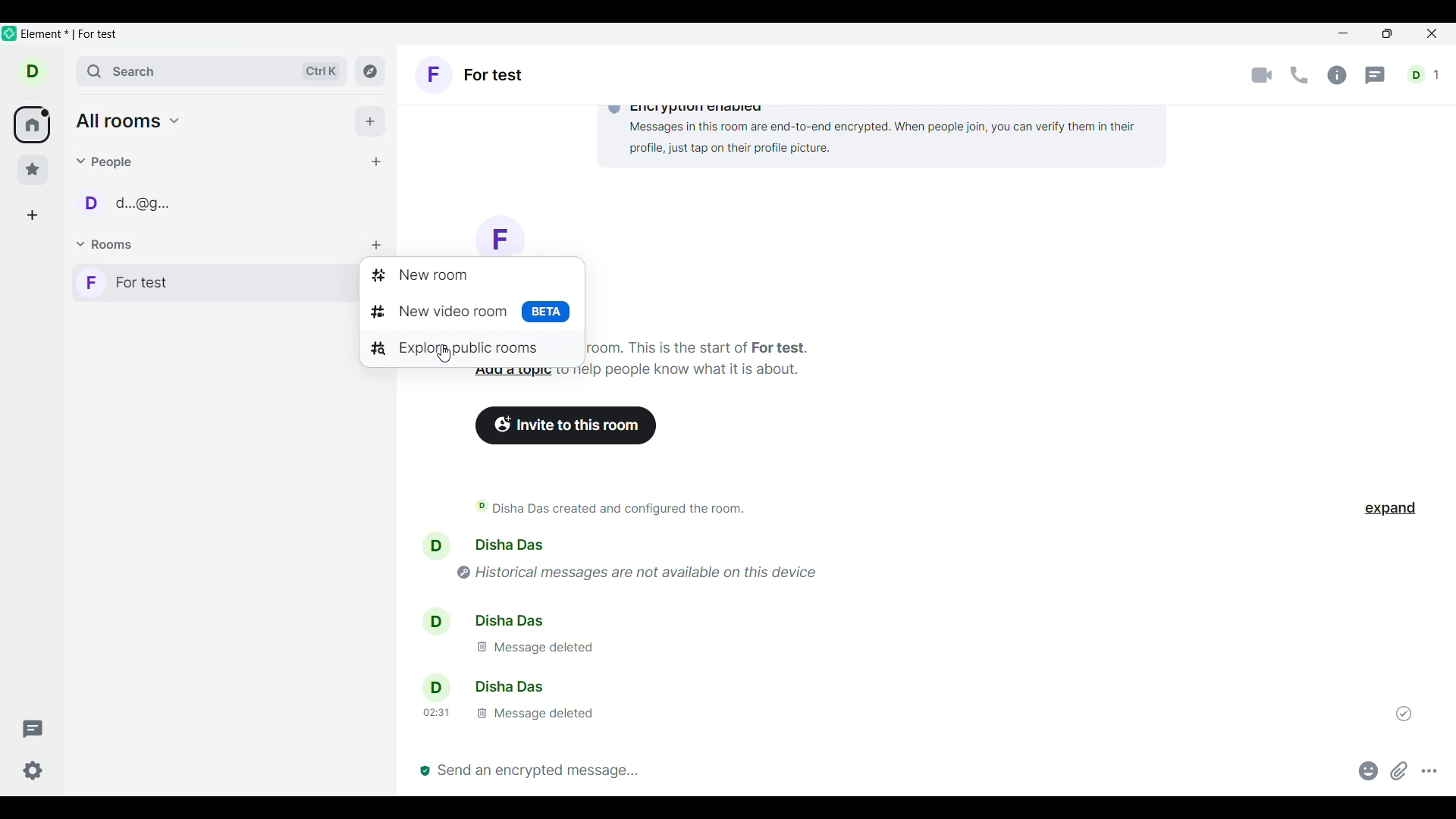 The image size is (1456, 819). What do you see at coordinates (1345, 36) in the screenshot?
I see `Minimize` at bounding box center [1345, 36].